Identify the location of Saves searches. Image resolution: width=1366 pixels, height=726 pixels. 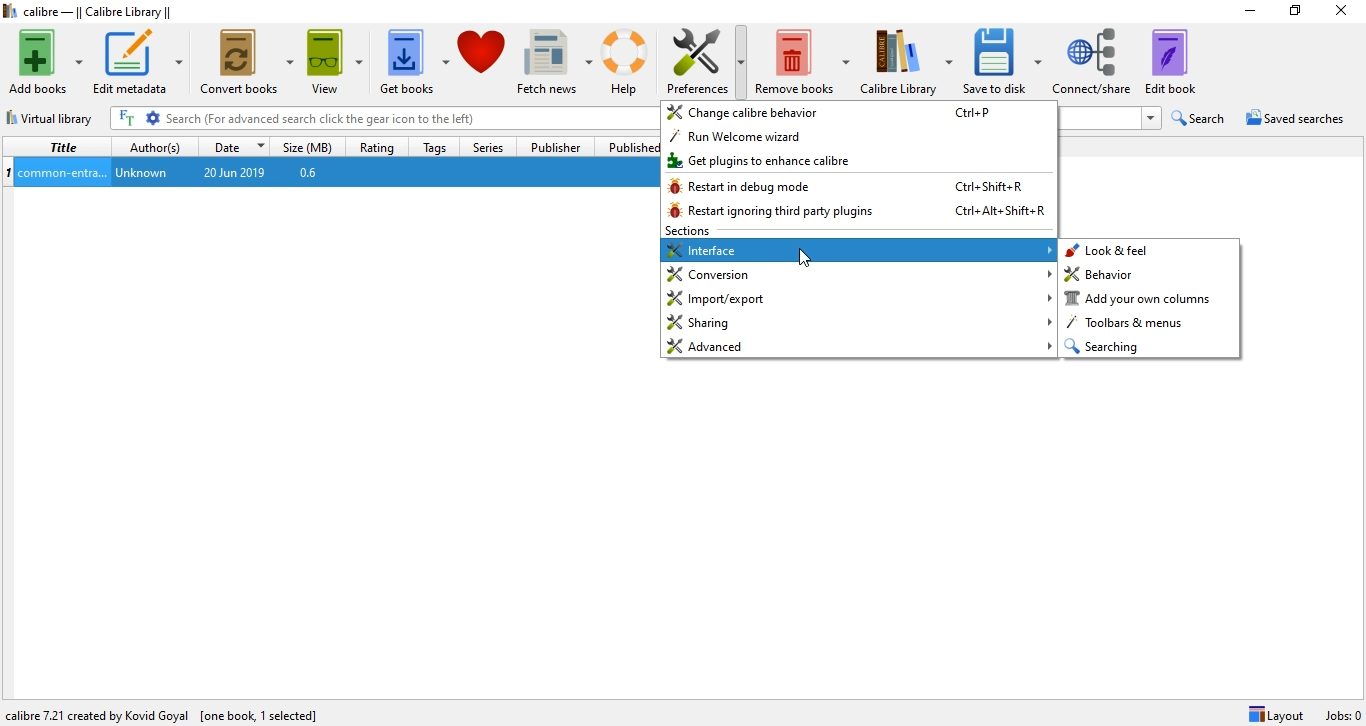
(1298, 120).